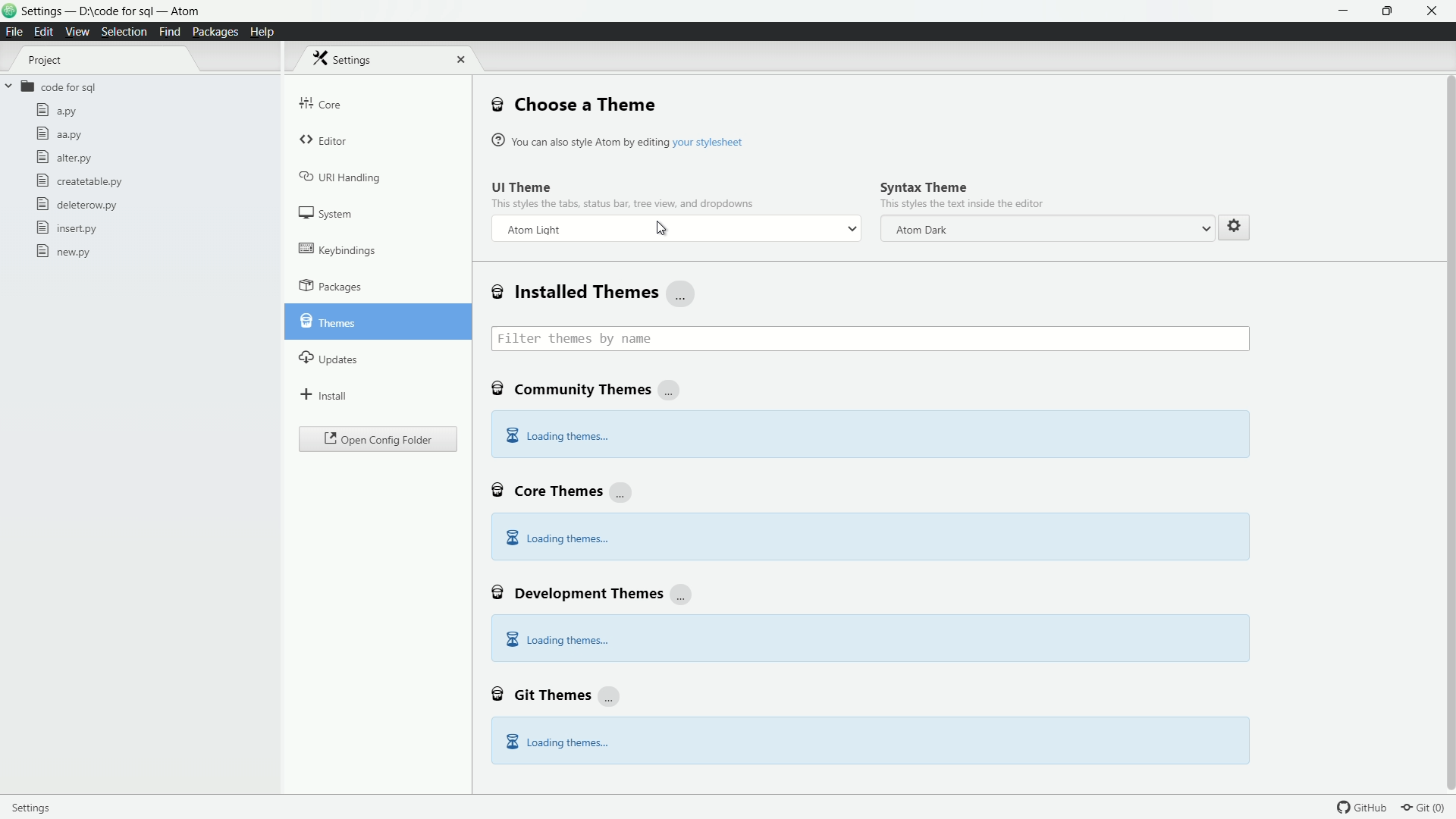 The image size is (1456, 819). I want to click on maximize or restore, so click(1389, 11).